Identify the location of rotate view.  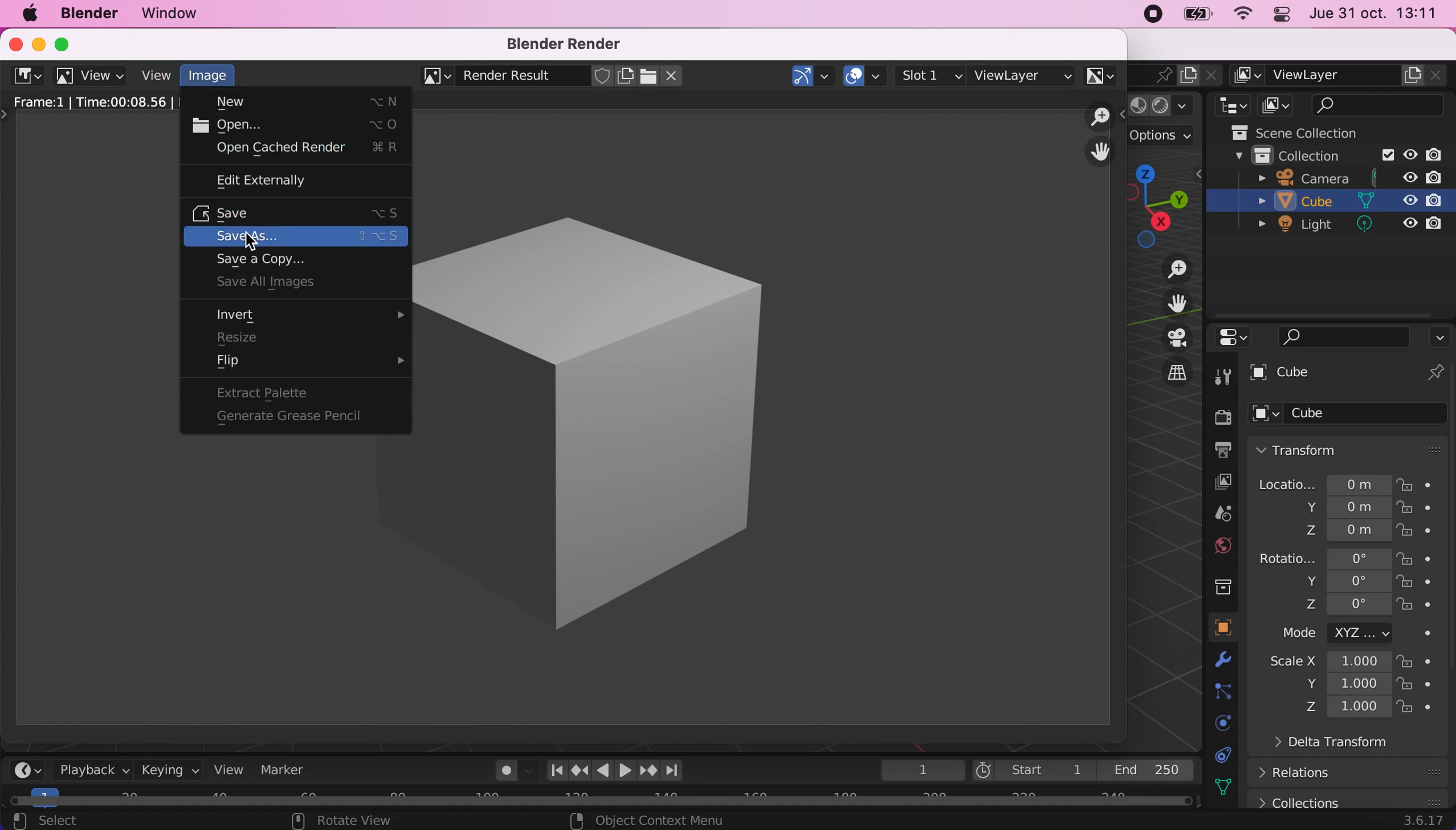
(346, 821).